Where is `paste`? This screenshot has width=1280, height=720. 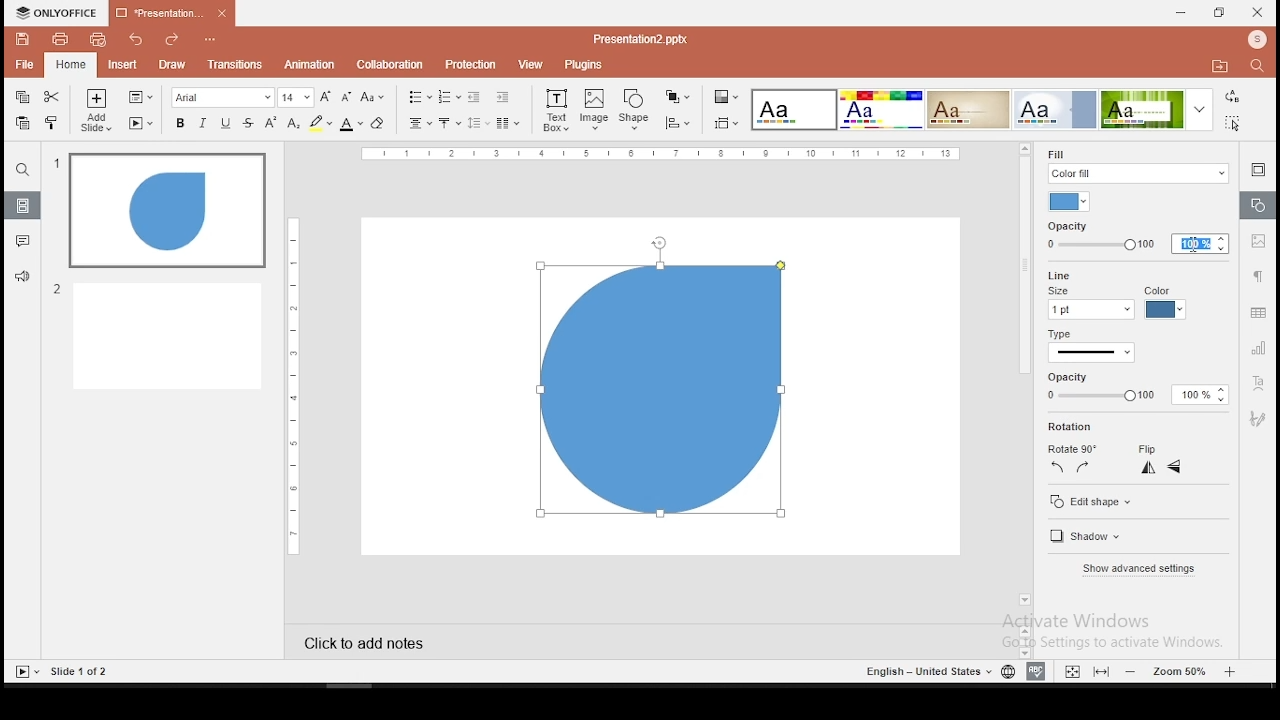 paste is located at coordinates (24, 122).